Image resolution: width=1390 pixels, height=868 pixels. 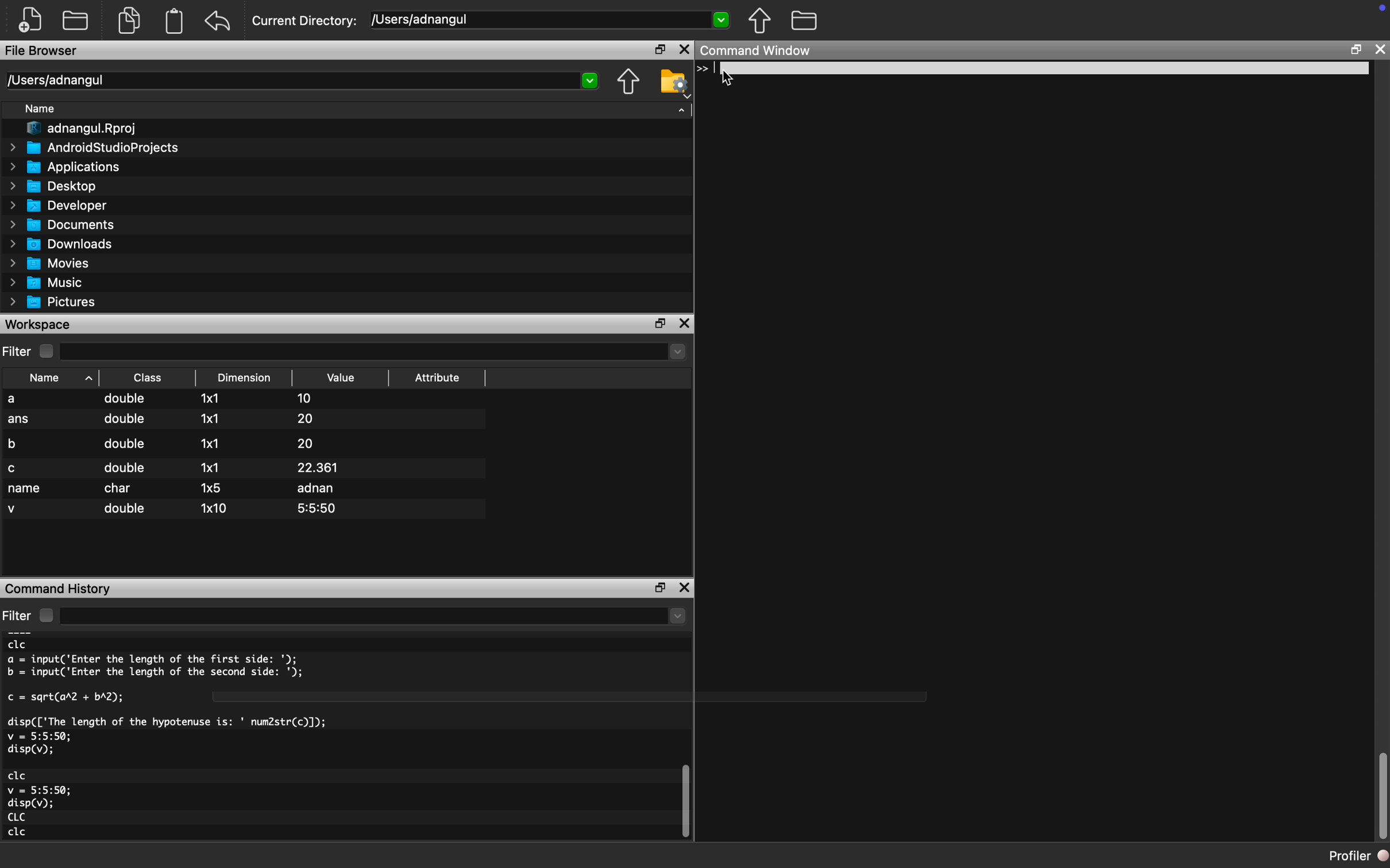 I want to click on Workspace, so click(x=44, y=324).